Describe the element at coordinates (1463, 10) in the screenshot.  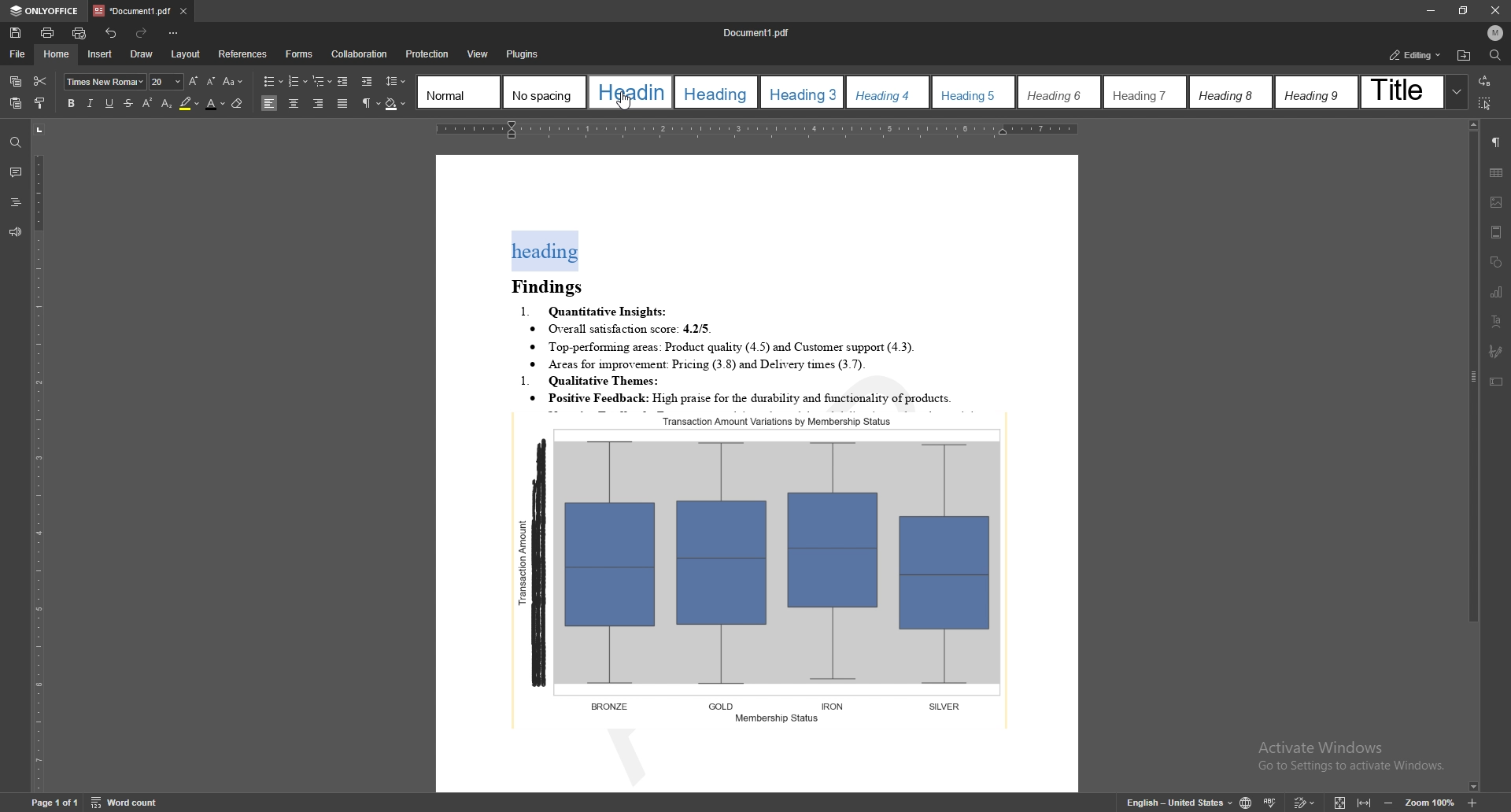
I see `resize` at that location.